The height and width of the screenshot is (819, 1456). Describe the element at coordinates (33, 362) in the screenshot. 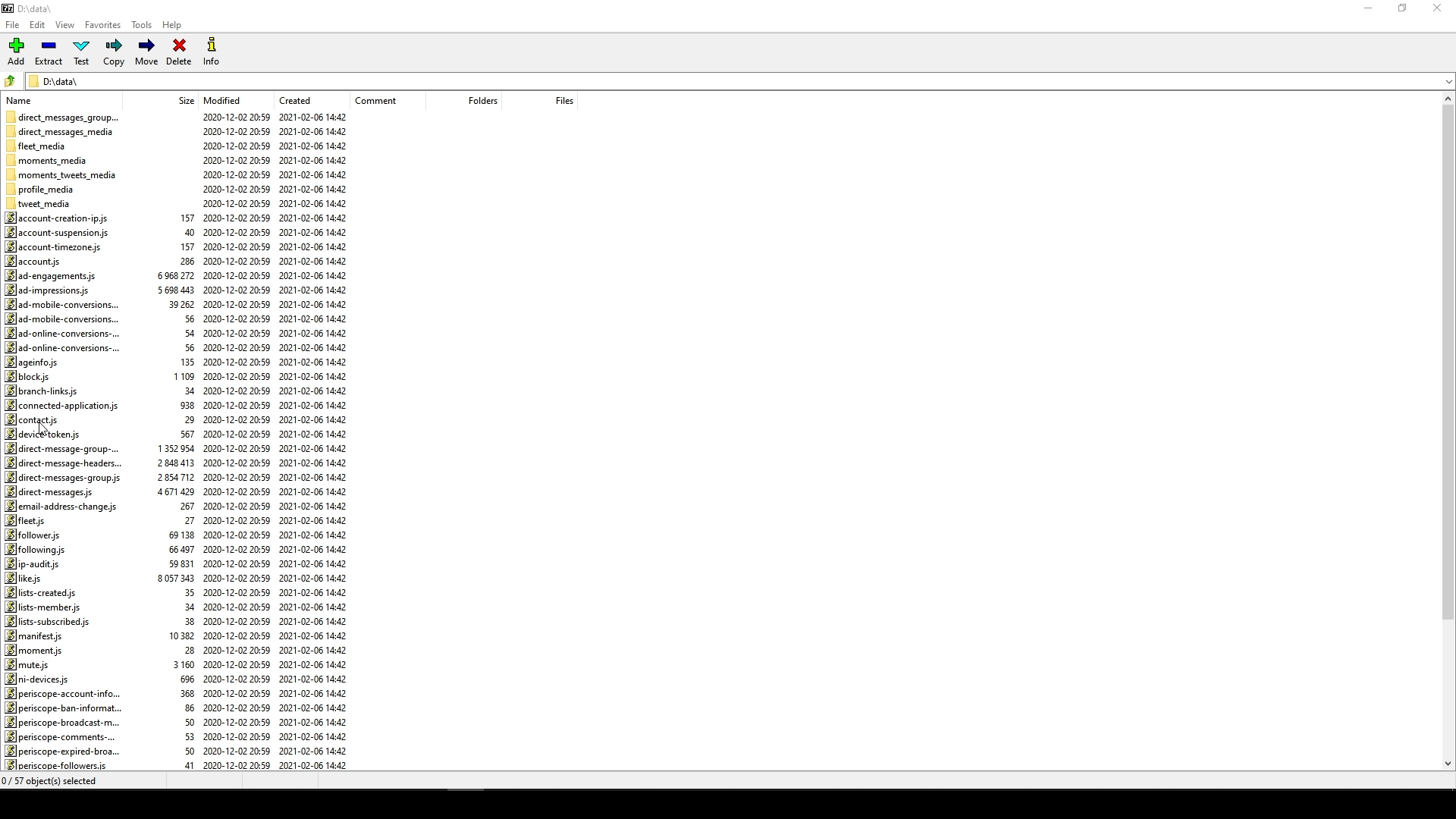

I see `ageinfo.js` at that location.